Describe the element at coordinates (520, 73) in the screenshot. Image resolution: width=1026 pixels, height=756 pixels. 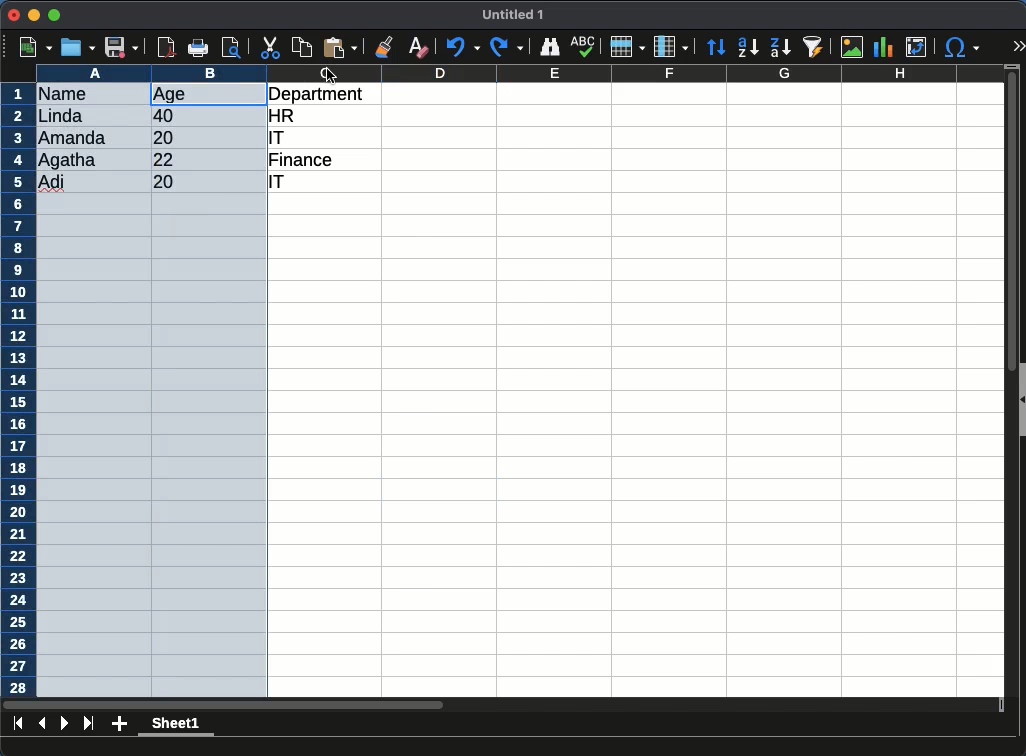
I see `columns` at that location.